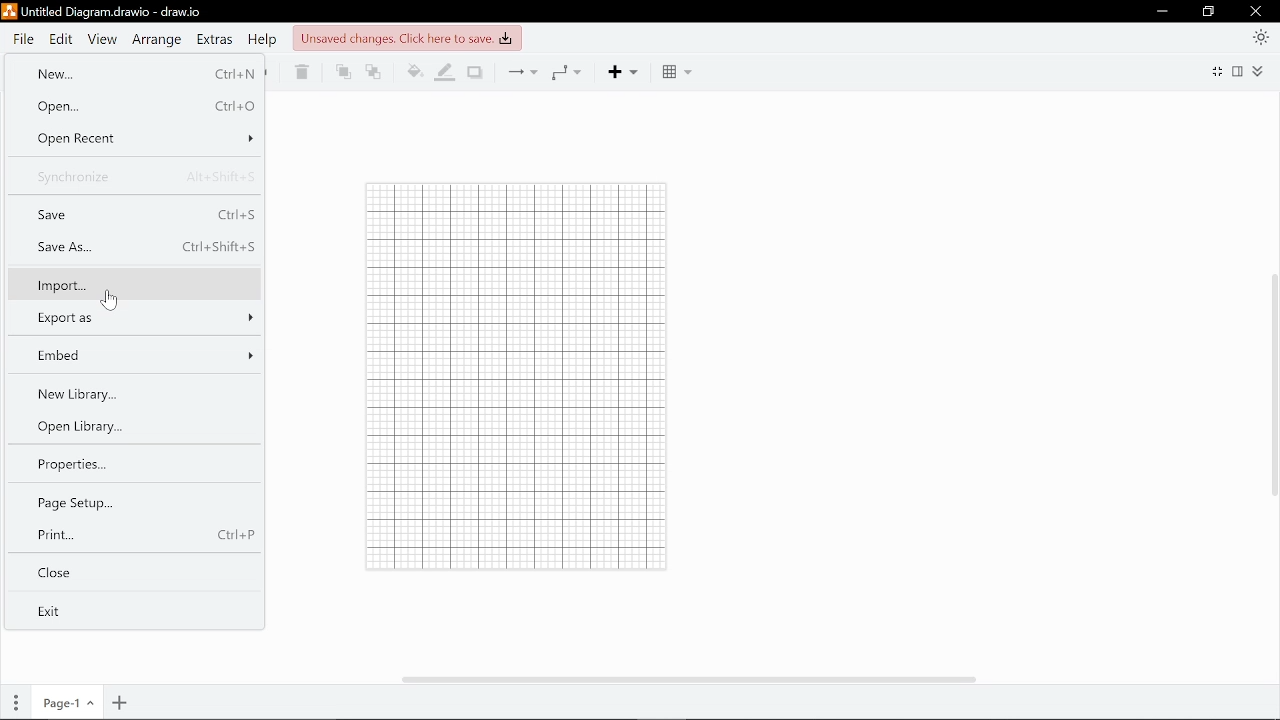  What do you see at coordinates (24, 39) in the screenshot?
I see `File` at bounding box center [24, 39].